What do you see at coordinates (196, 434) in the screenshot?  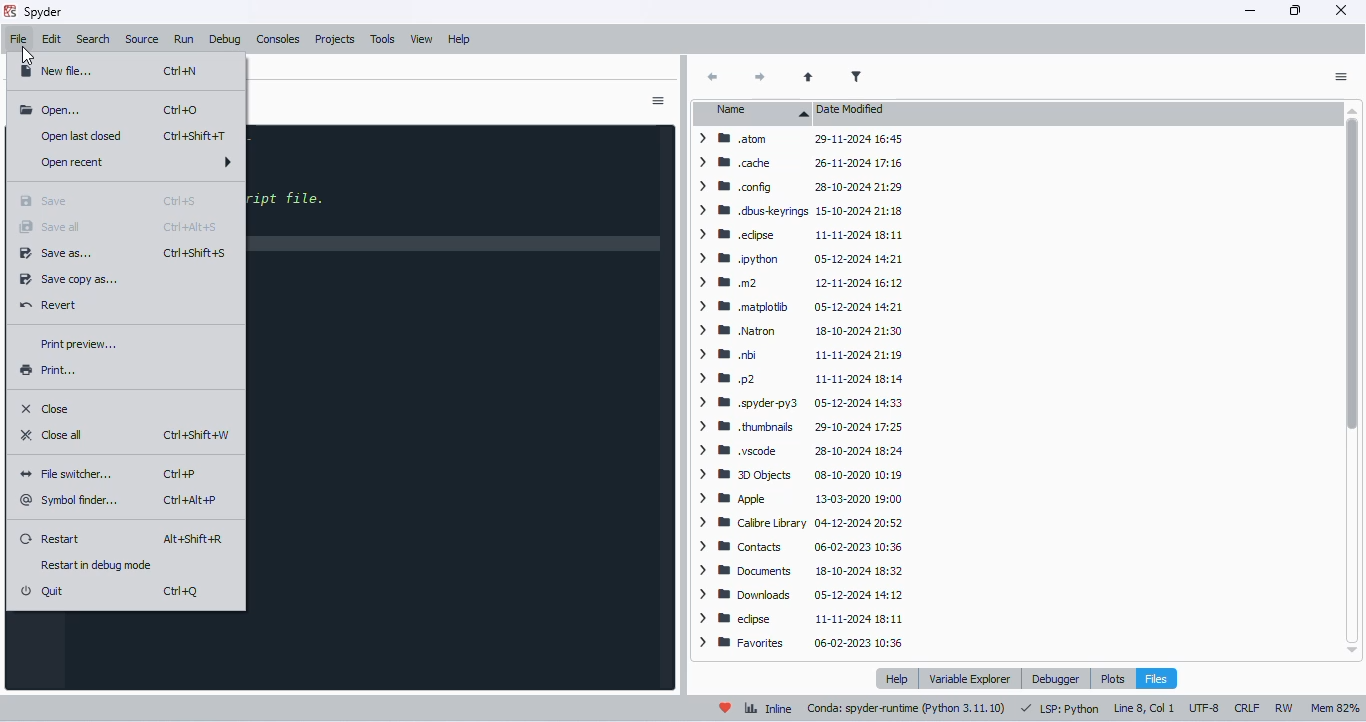 I see `shortcut for close all` at bounding box center [196, 434].